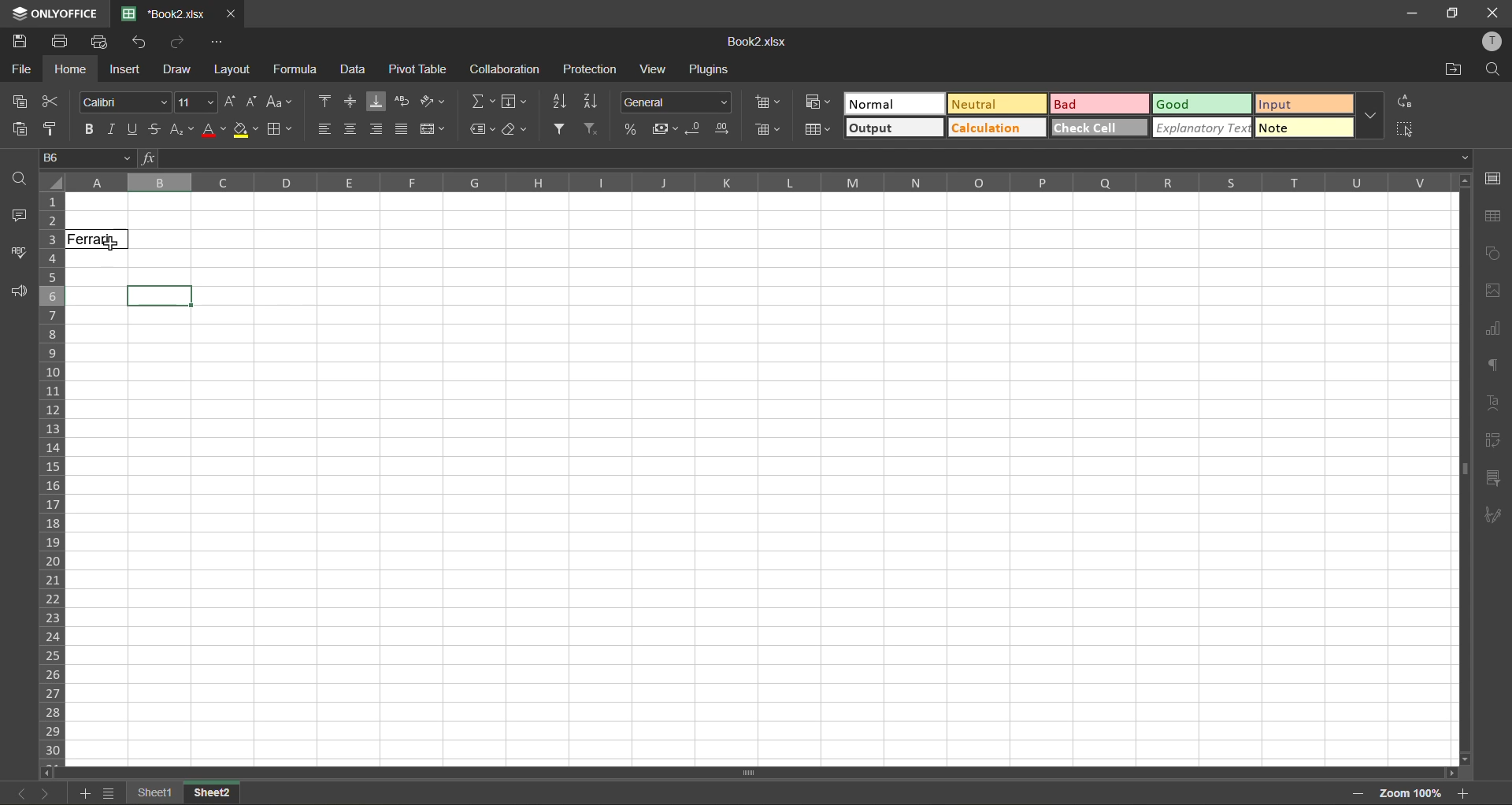 This screenshot has height=805, width=1512. Describe the element at coordinates (404, 102) in the screenshot. I see `wrap` at that location.